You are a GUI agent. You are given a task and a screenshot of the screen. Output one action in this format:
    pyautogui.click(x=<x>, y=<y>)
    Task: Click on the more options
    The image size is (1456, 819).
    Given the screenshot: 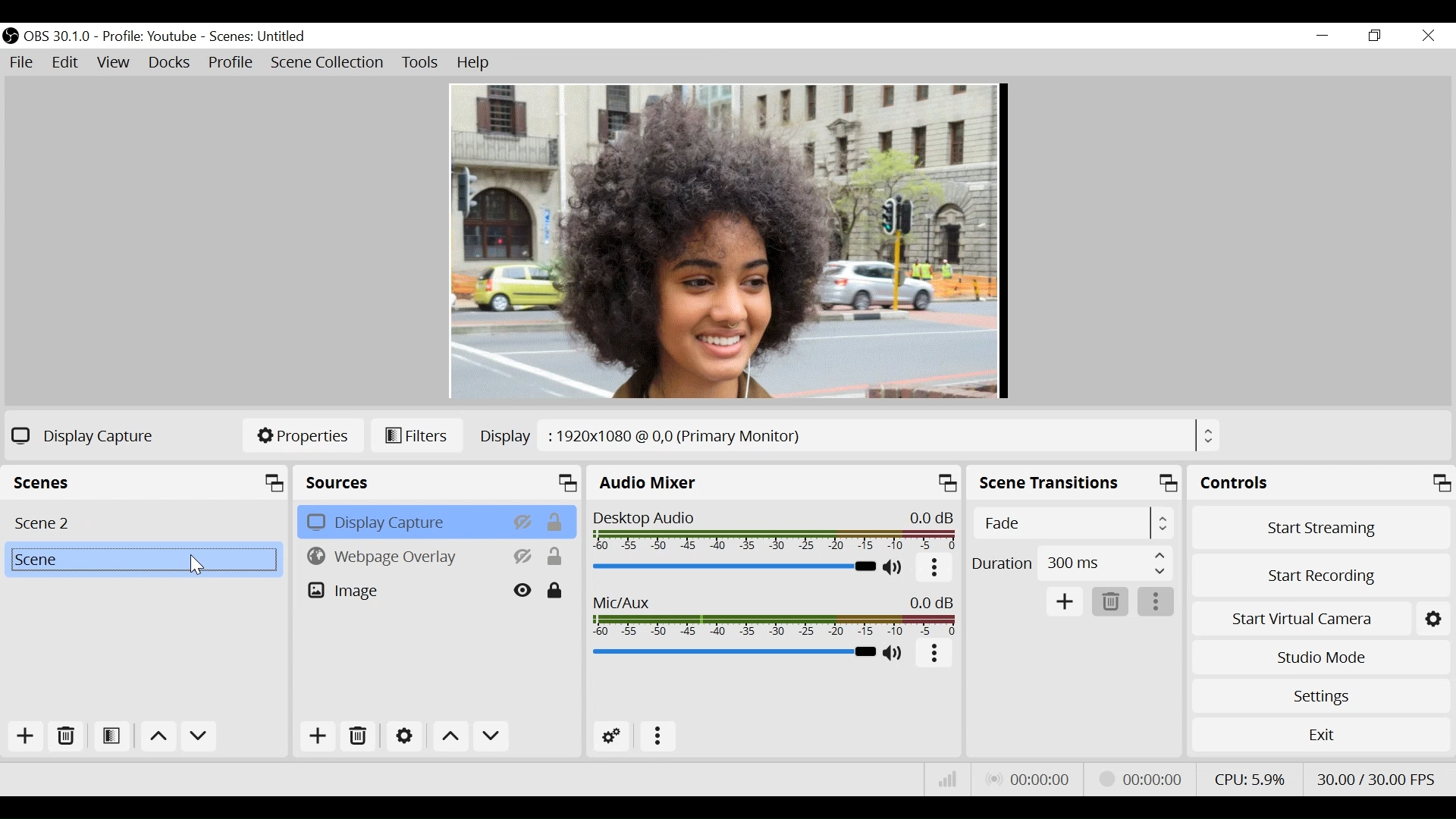 What is the action you would take?
    pyautogui.click(x=1156, y=601)
    